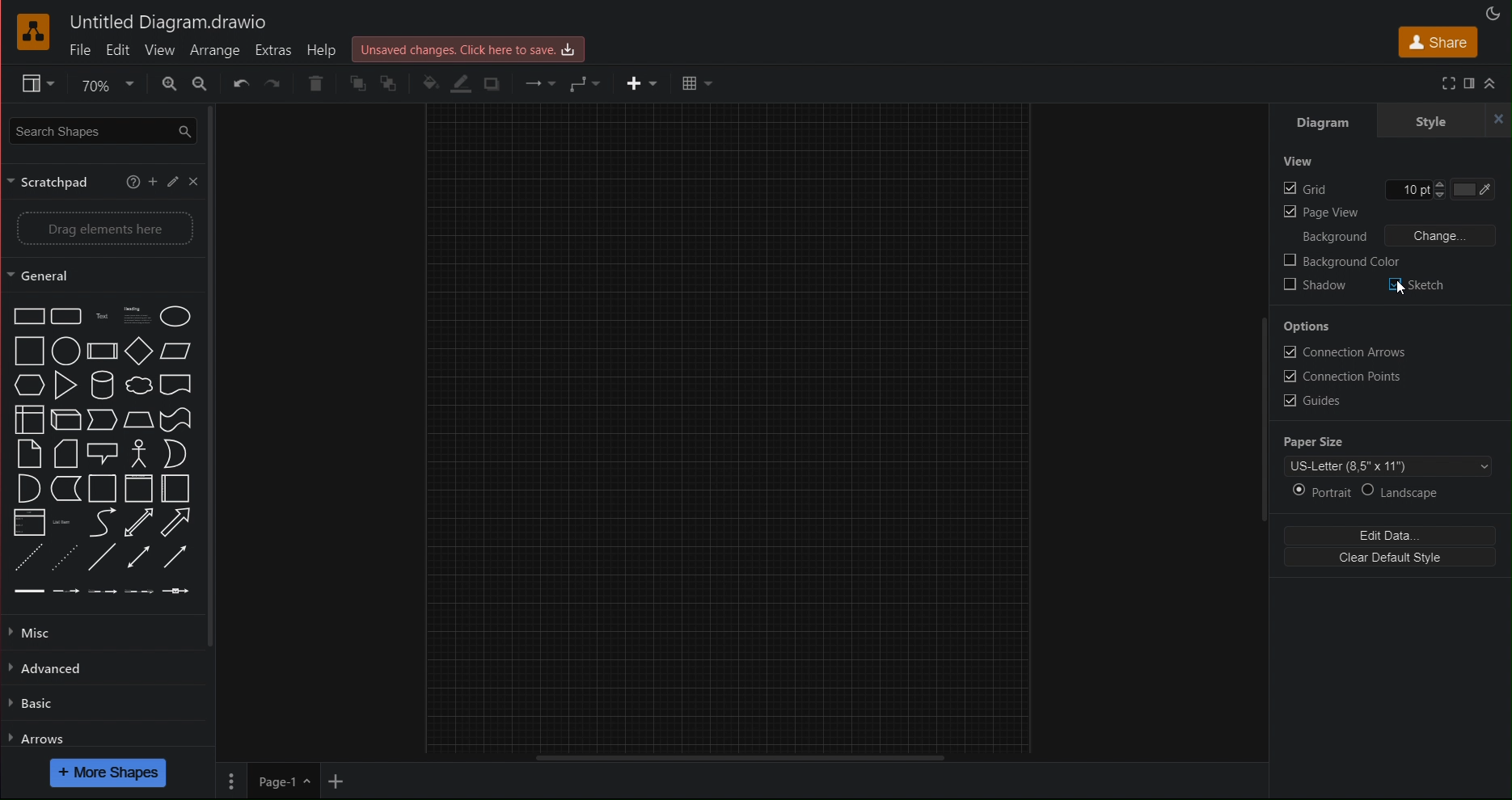 The width and height of the screenshot is (1512, 800). I want to click on Sketch (checked), so click(1421, 287).